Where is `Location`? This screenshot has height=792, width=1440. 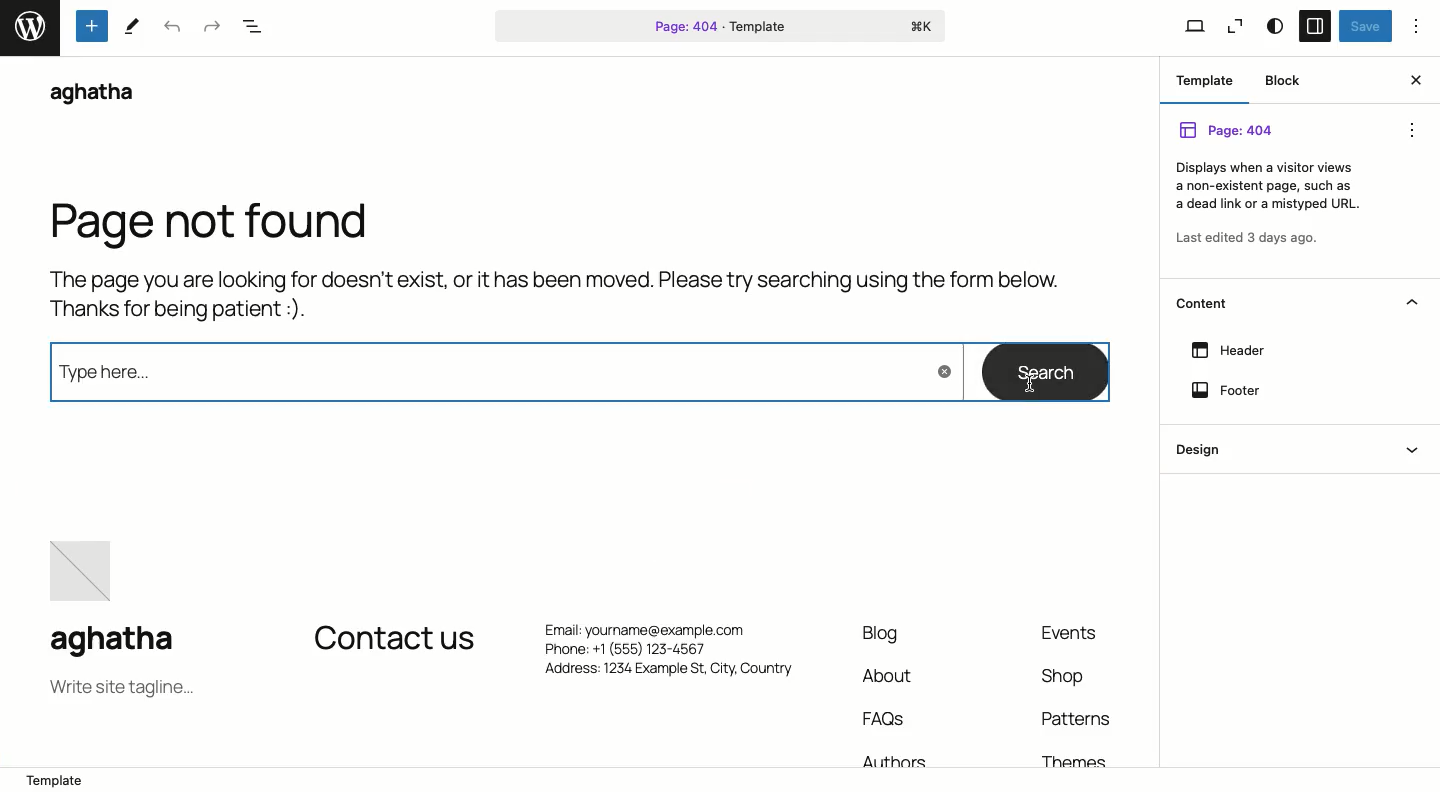 Location is located at coordinates (721, 782).